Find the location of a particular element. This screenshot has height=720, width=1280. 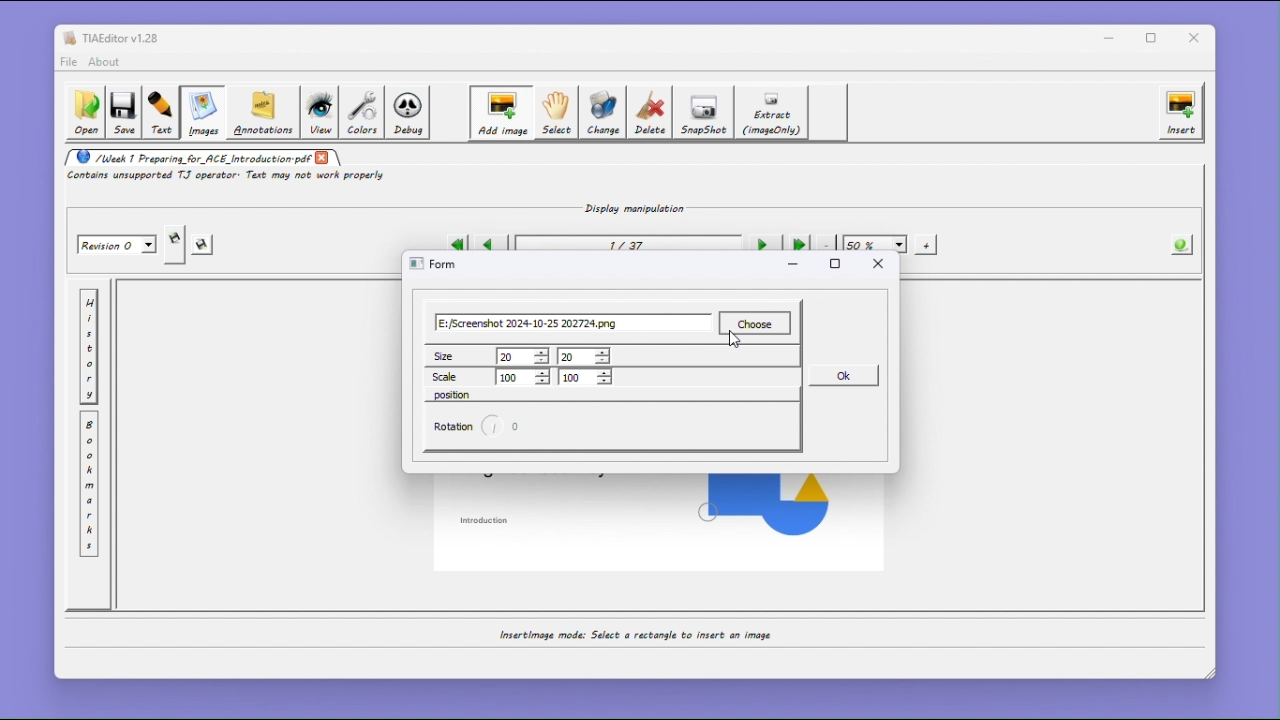

0 is located at coordinates (516, 427).